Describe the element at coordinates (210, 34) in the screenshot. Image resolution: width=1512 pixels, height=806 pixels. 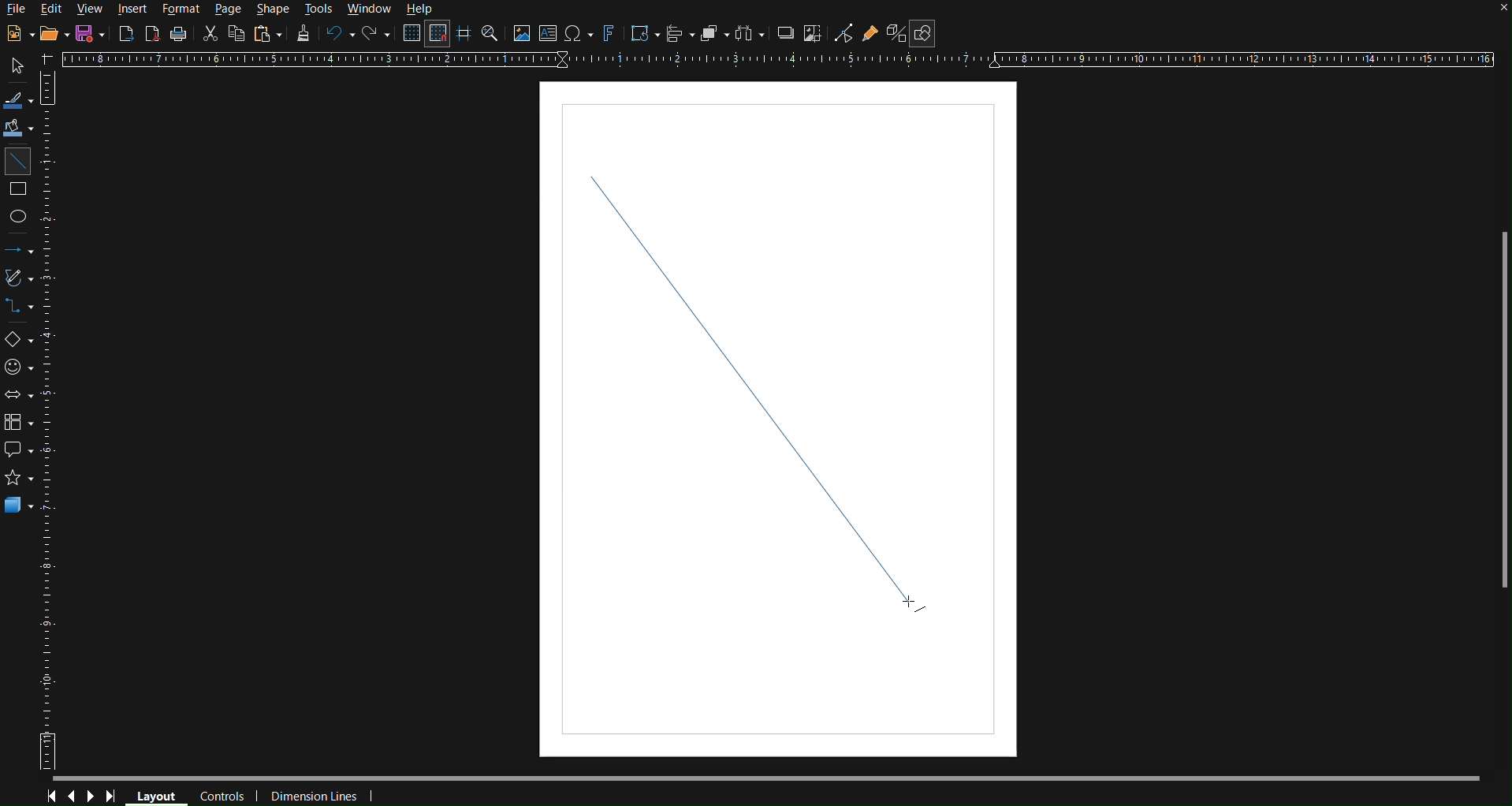
I see `Cut` at that location.